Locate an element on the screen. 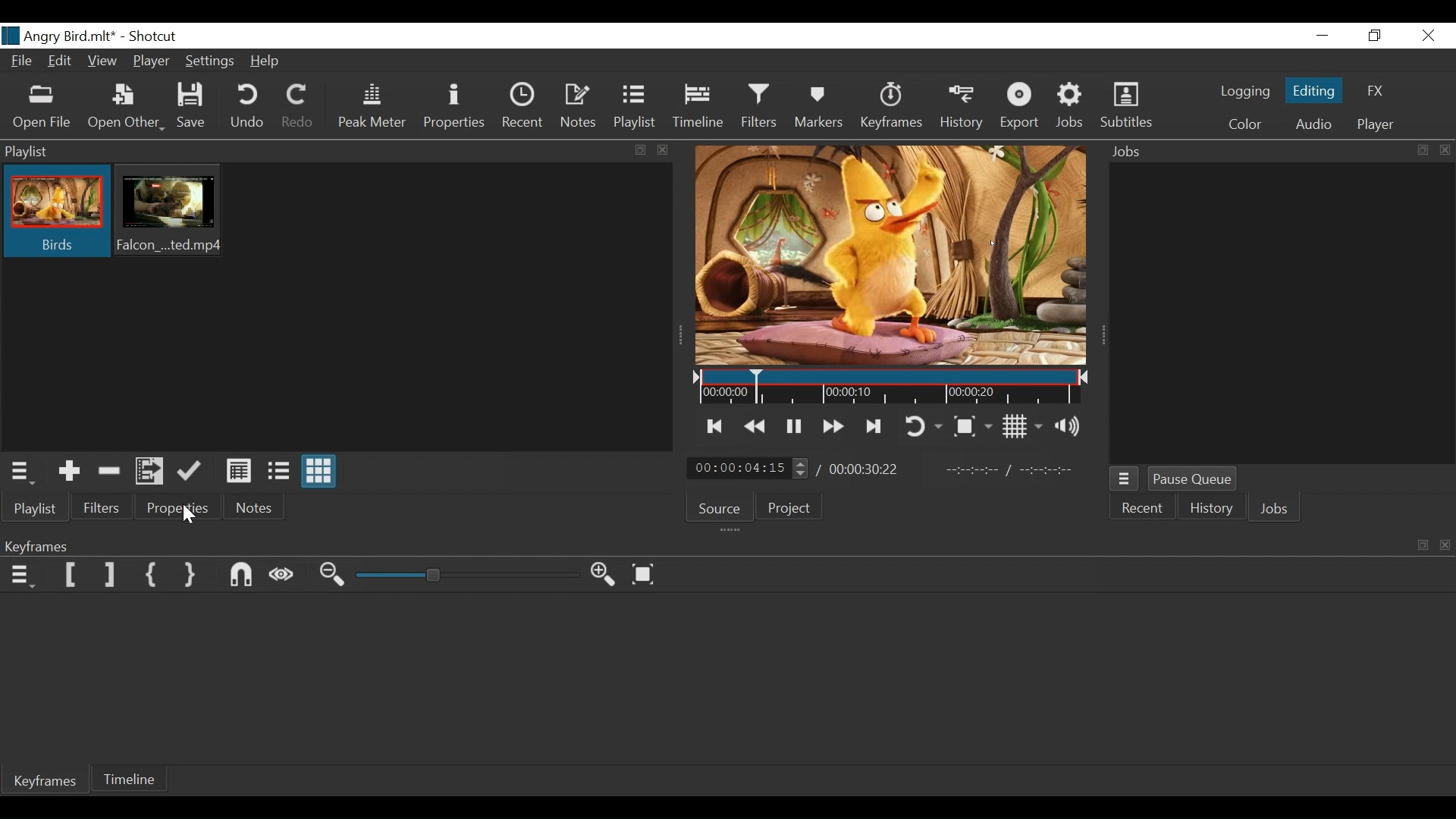  Minimize is located at coordinates (1322, 35).